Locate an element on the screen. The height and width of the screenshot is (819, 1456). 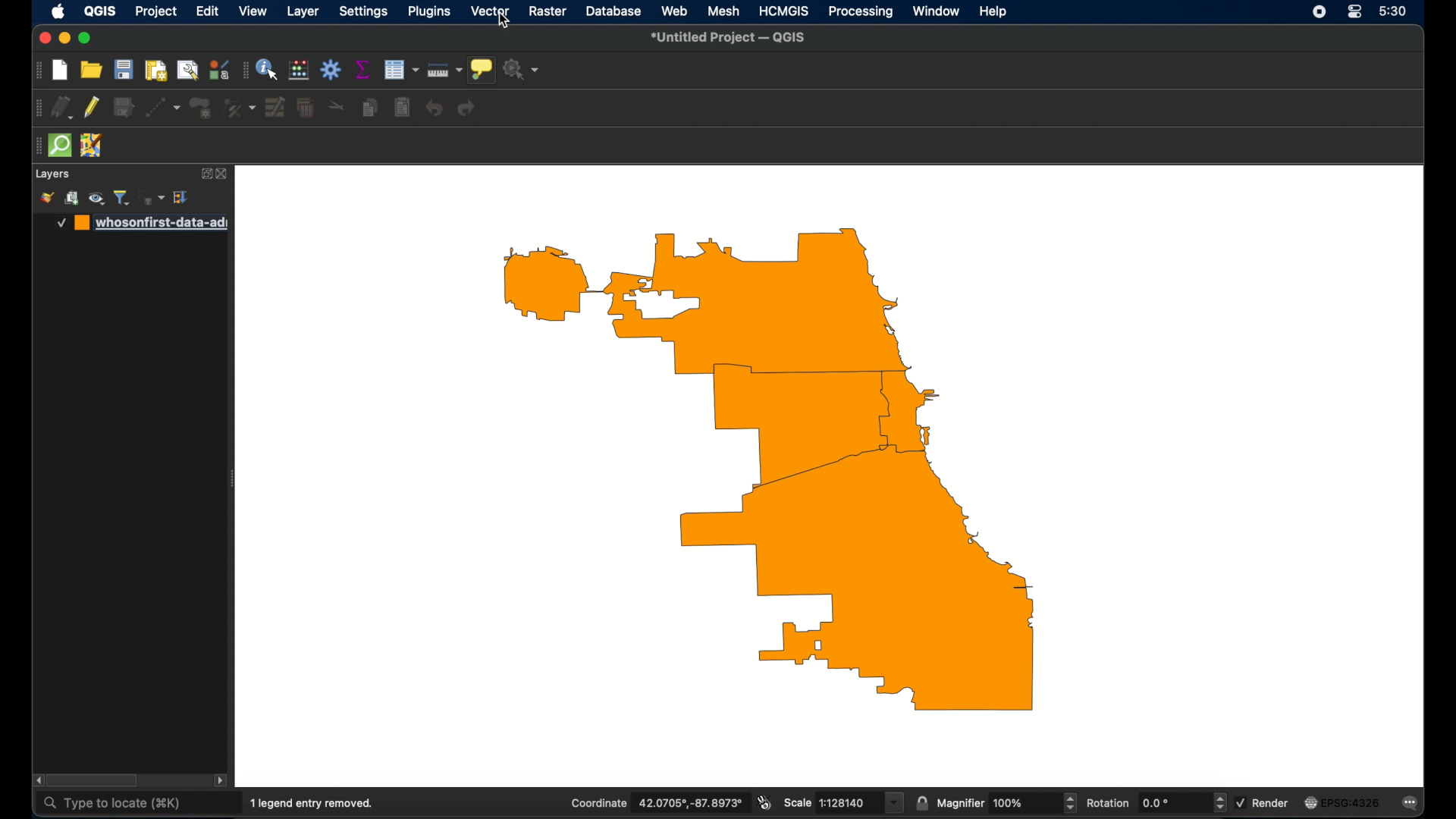
print layout is located at coordinates (155, 70).